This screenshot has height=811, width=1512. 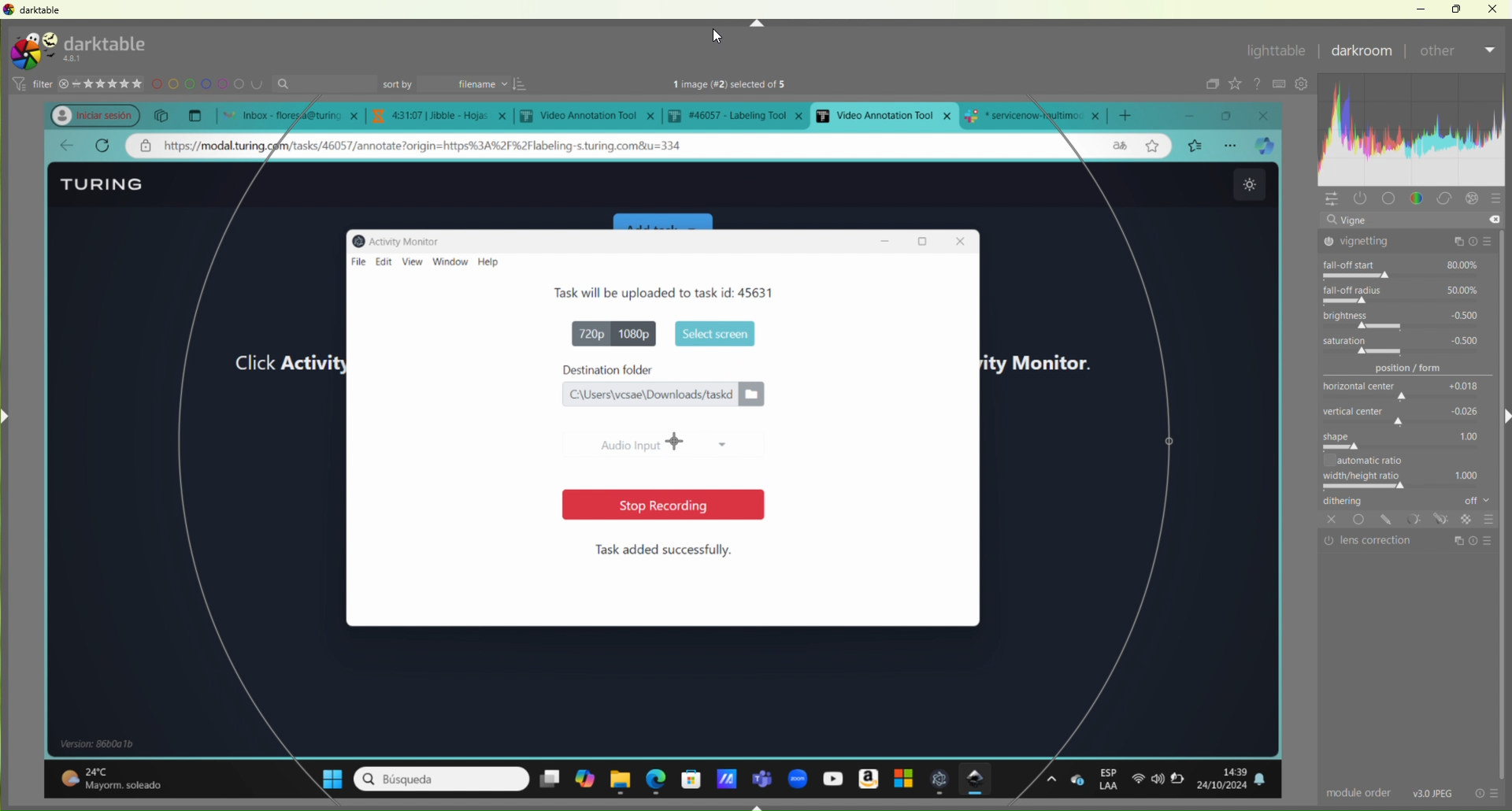 I want to click on desktopms, so click(x=549, y=779).